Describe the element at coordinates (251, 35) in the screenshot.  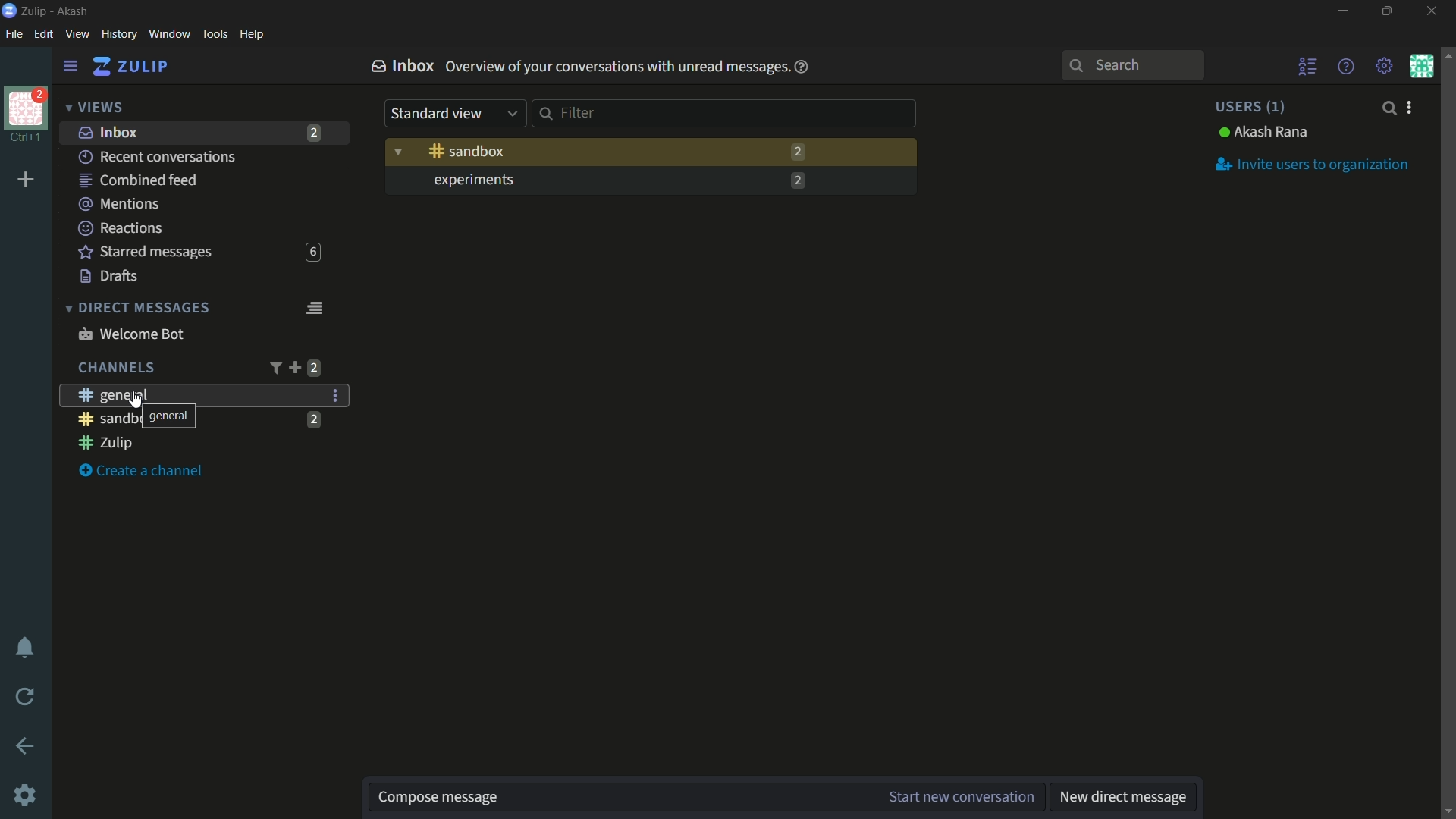
I see `help menu` at that location.